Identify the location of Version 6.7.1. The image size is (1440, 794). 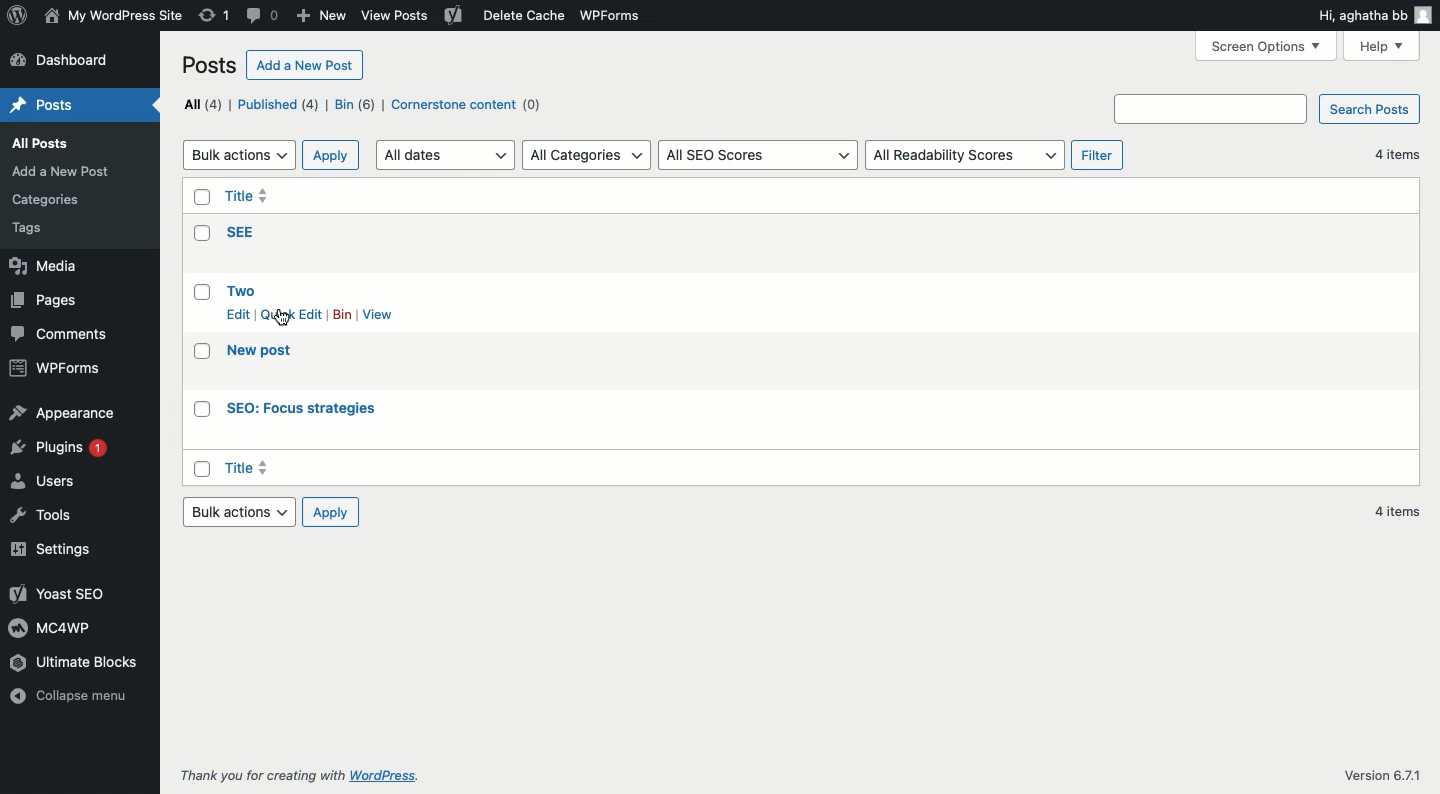
(1382, 772).